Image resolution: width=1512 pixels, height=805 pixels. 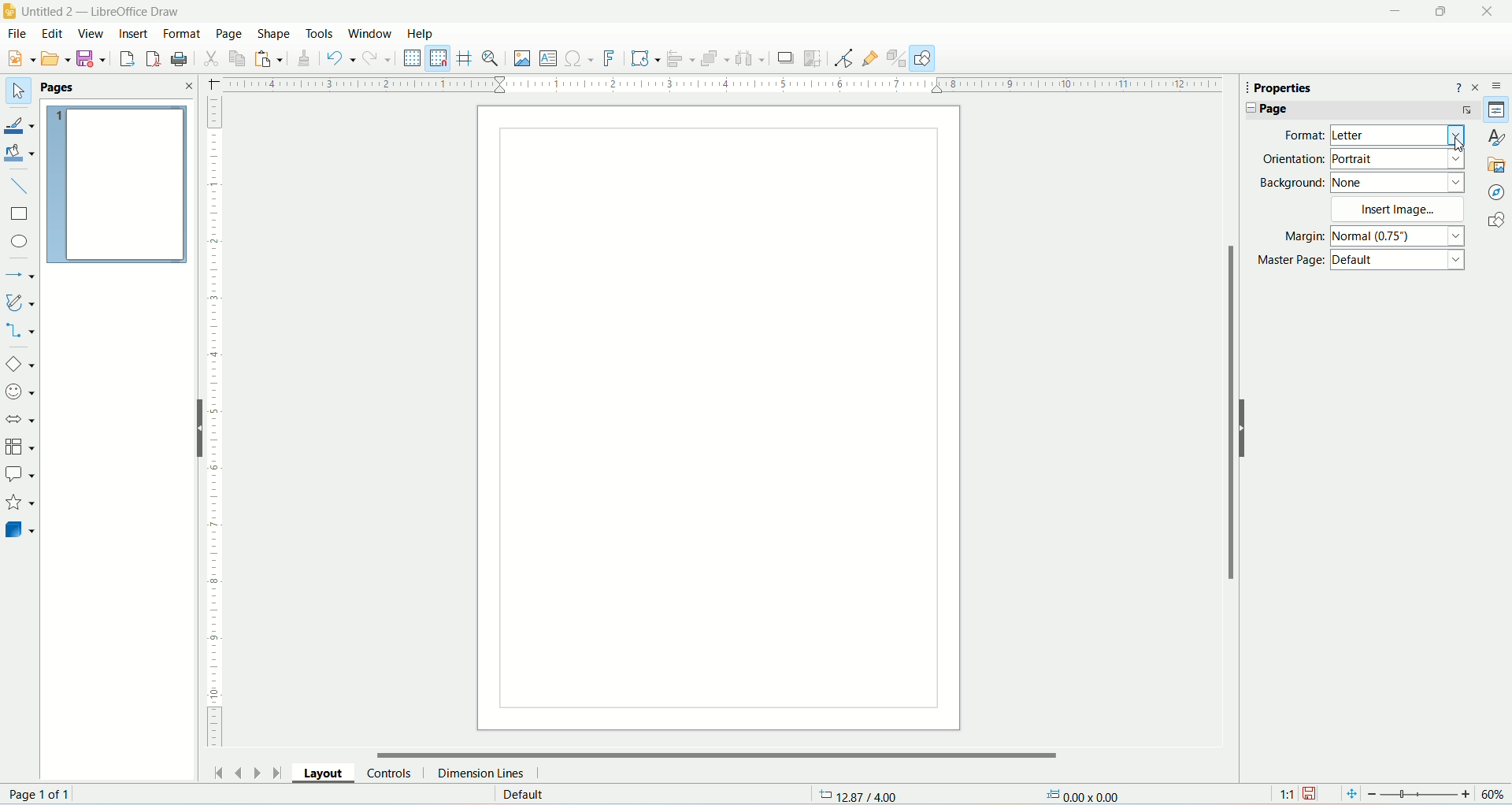 I want to click on line color, so click(x=20, y=122).